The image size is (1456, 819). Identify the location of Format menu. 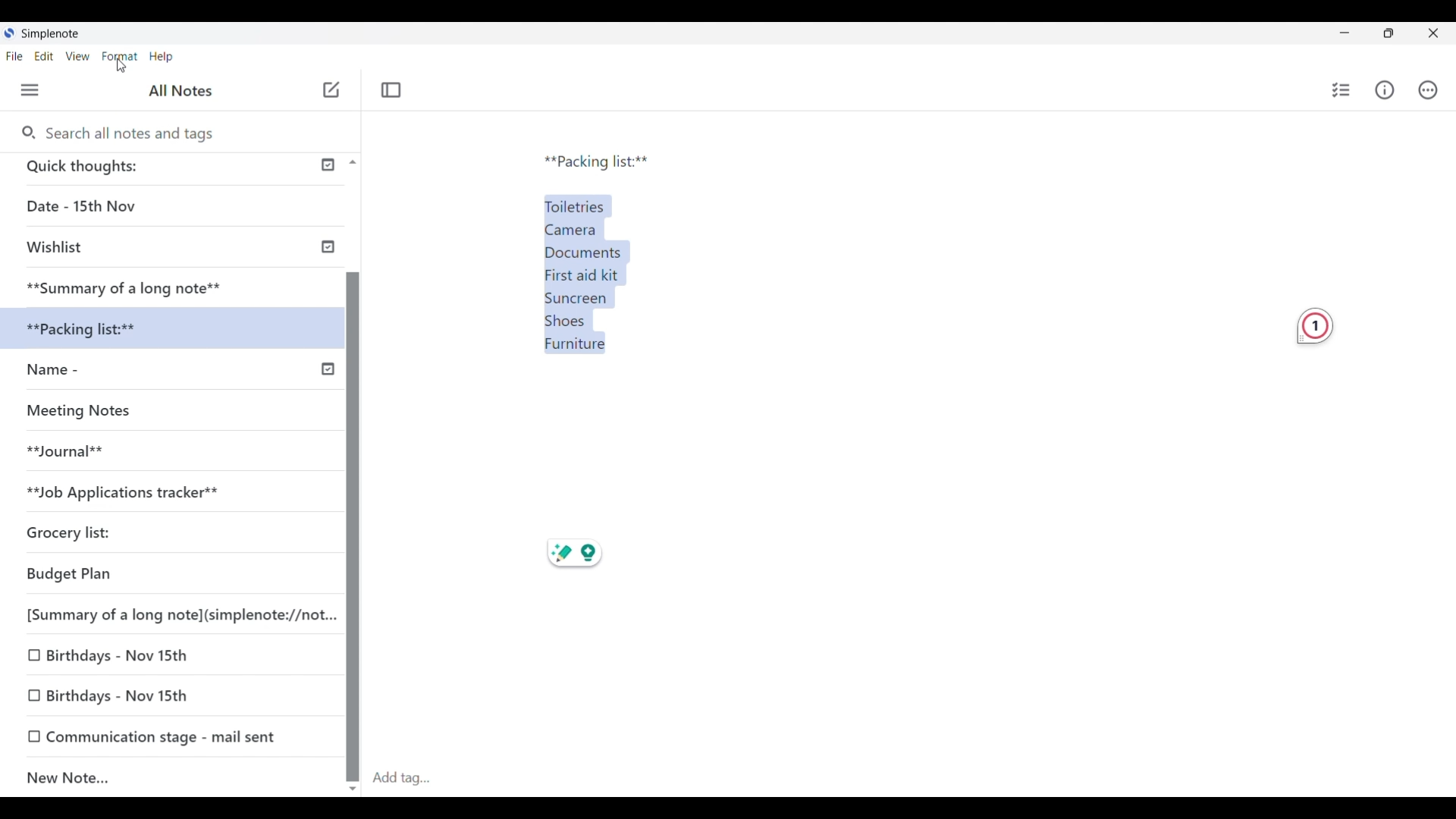
(121, 57).